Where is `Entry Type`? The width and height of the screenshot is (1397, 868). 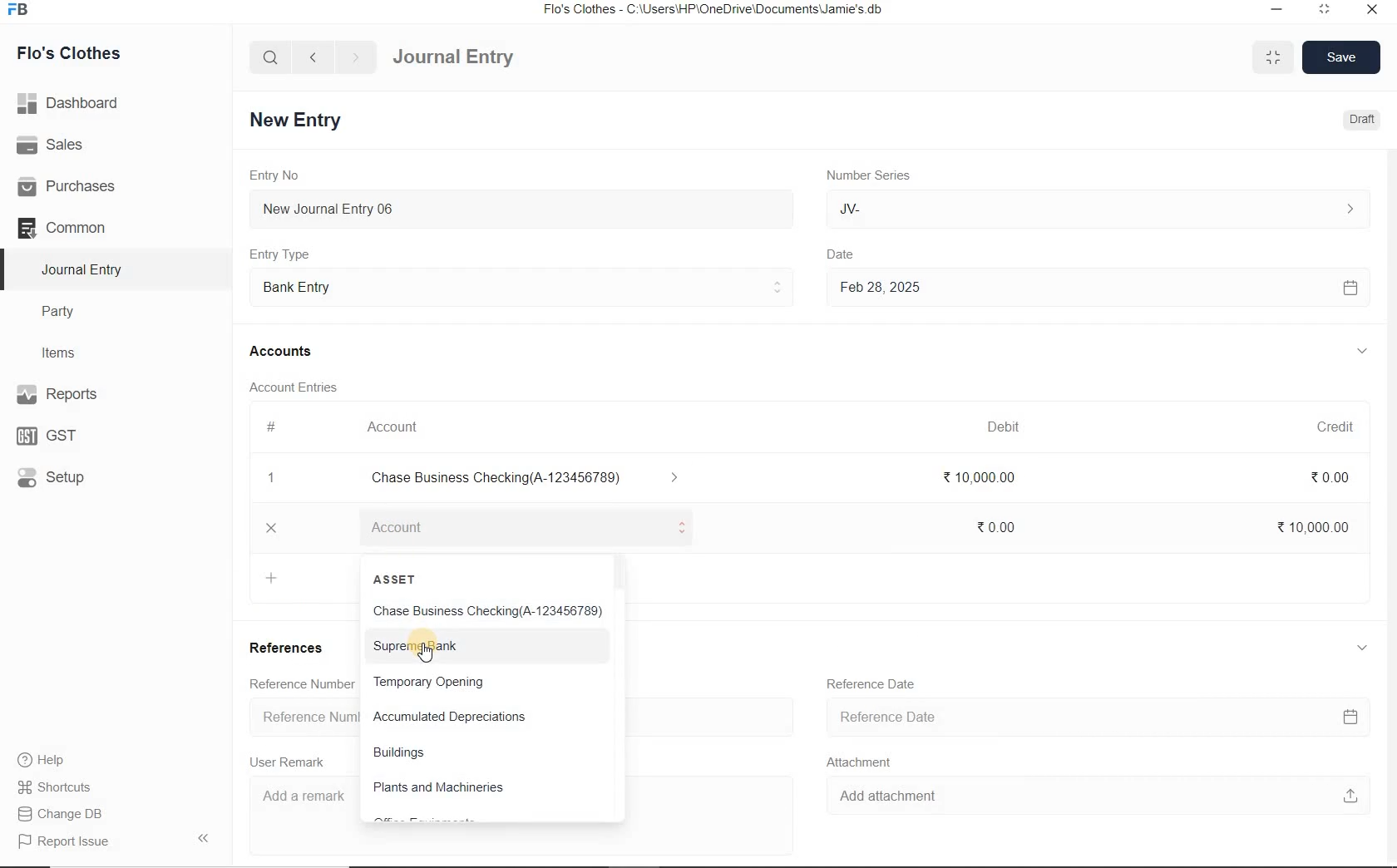 Entry Type is located at coordinates (521, 285).